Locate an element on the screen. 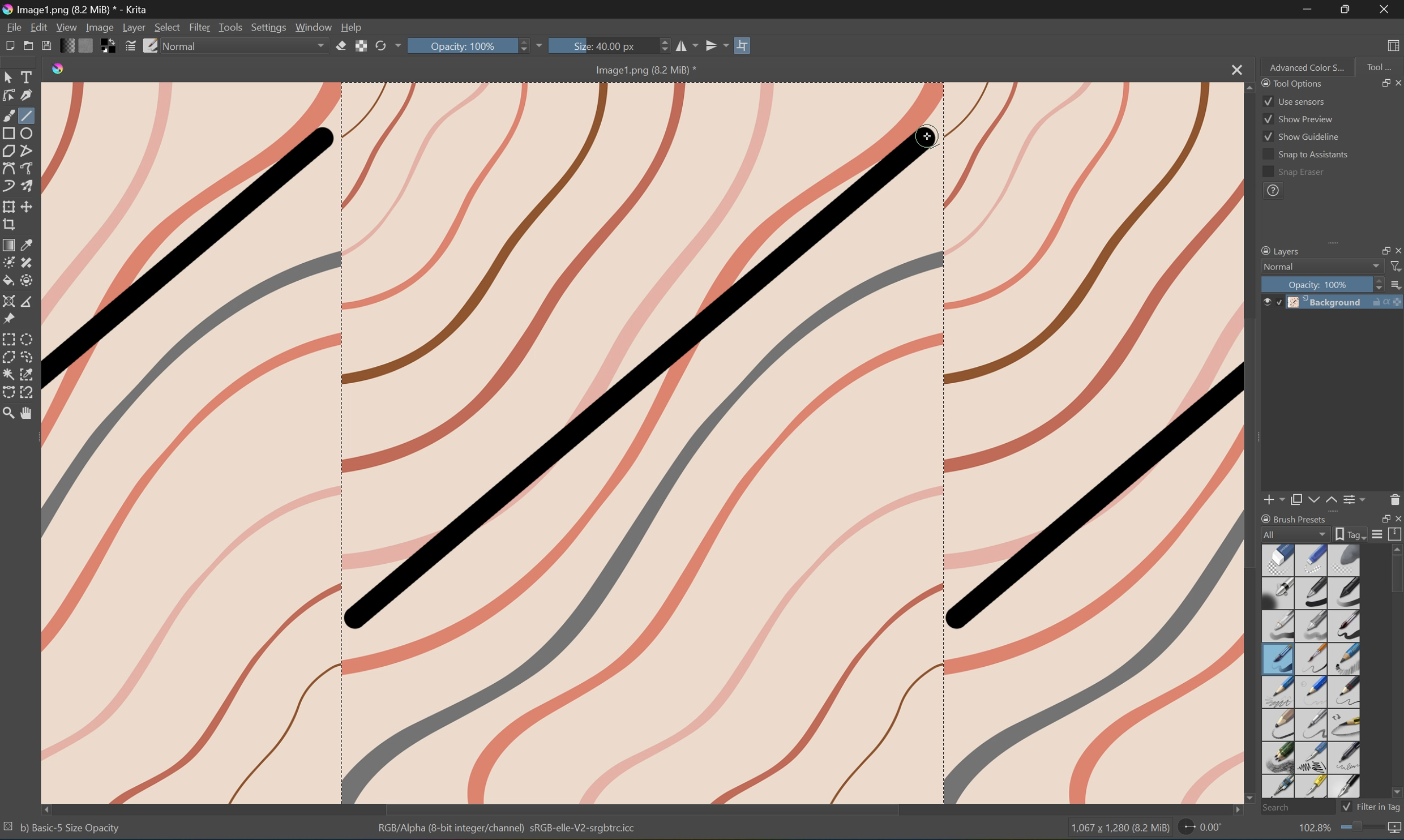  Save is located at coordinates (48, 47).